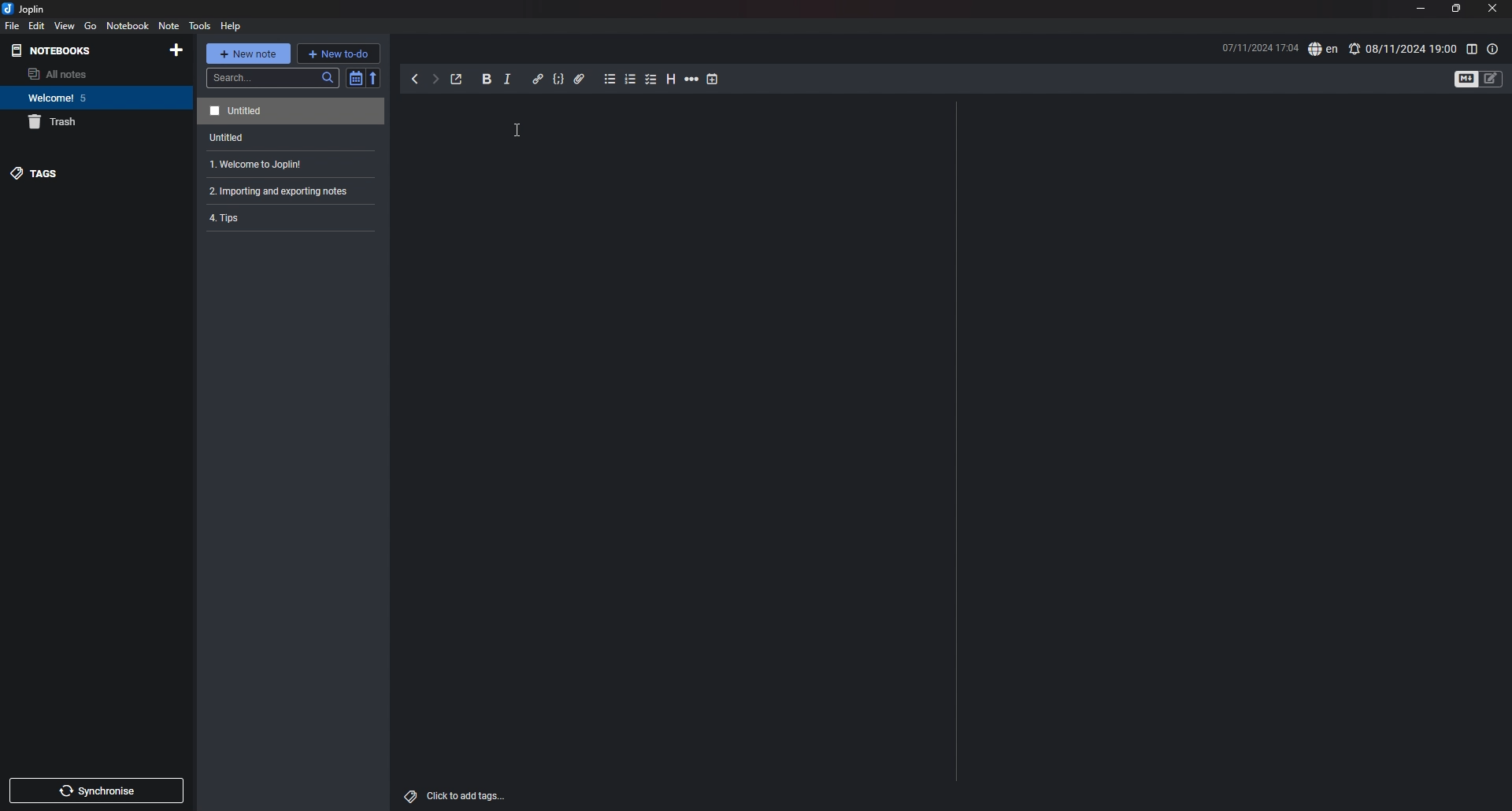  Describe the element at coordinates (1356, 47) in the screenshot. I see `notification` at that location.